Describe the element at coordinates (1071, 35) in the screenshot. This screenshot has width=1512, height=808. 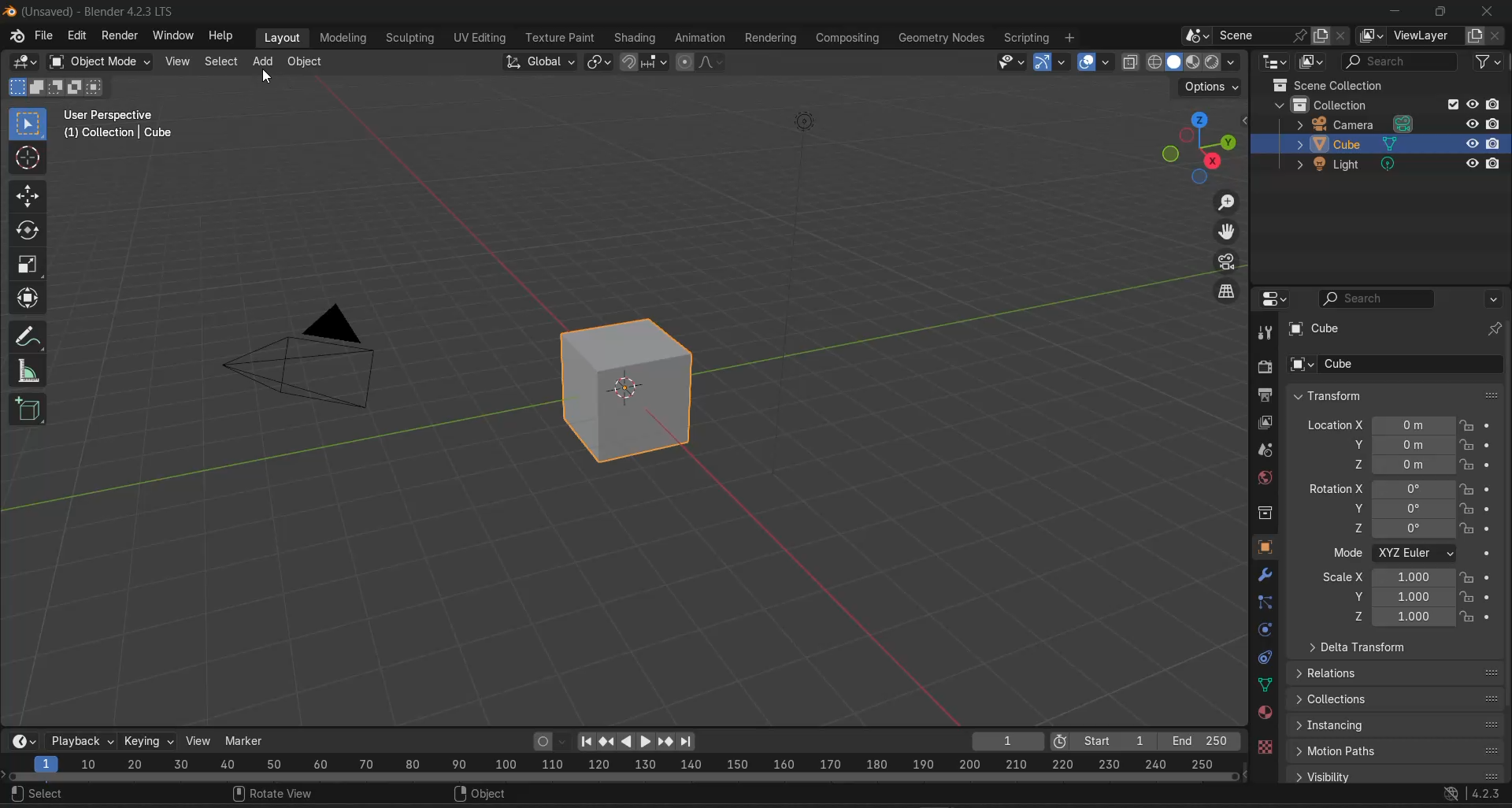
I see `add workspace` at that location.